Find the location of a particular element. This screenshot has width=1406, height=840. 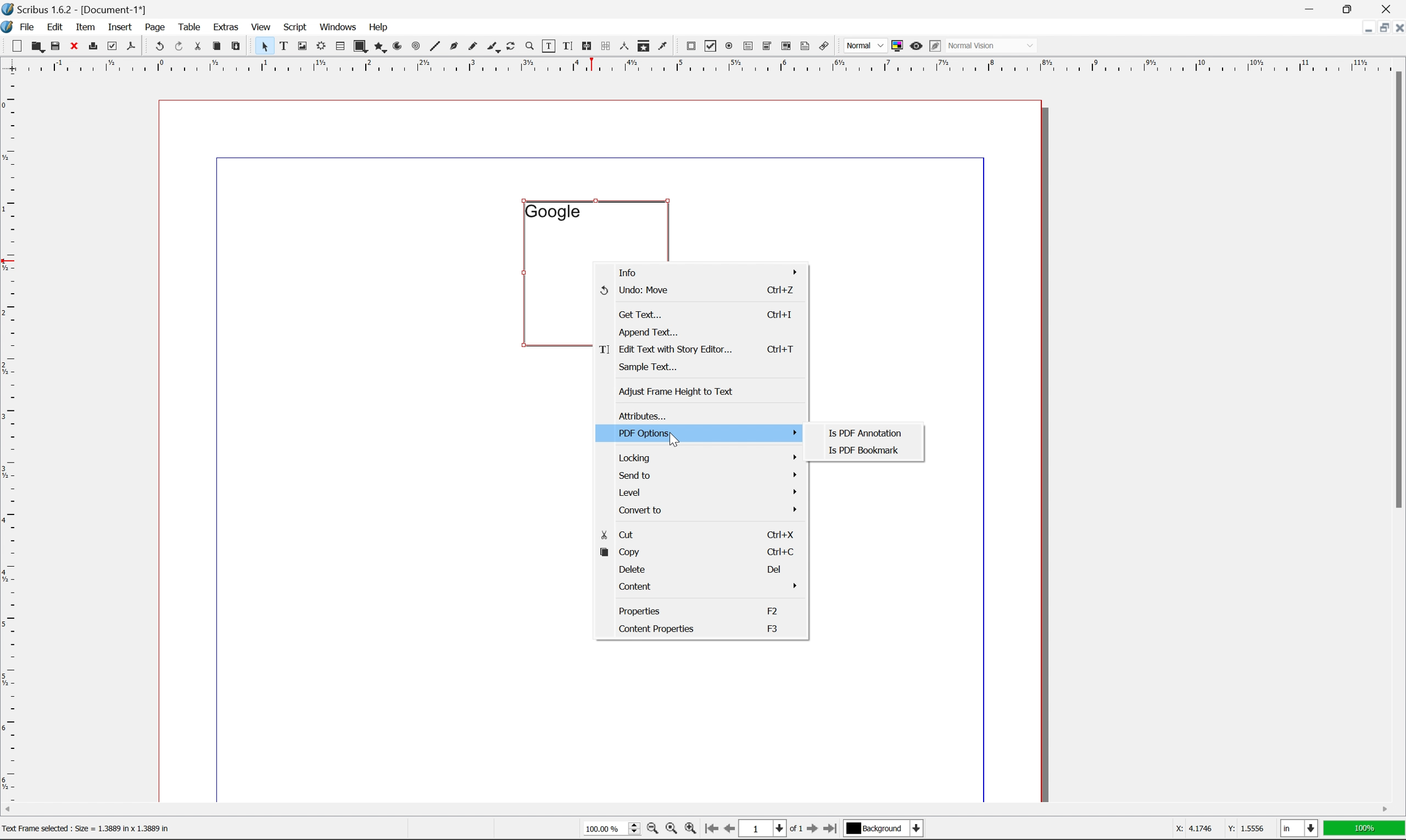

save as pdf is located at coordinates (132, 46).